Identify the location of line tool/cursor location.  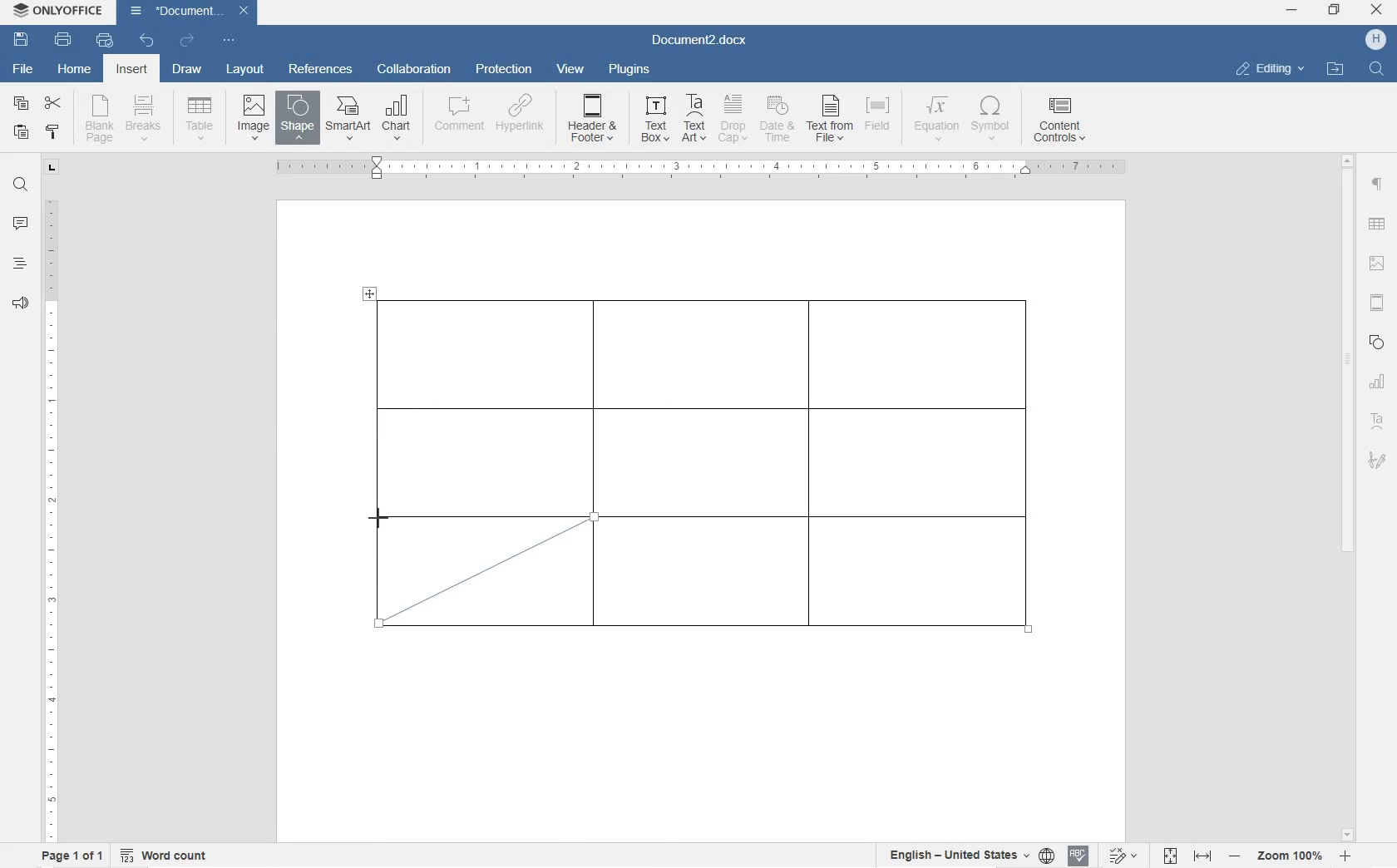
(381, 517).